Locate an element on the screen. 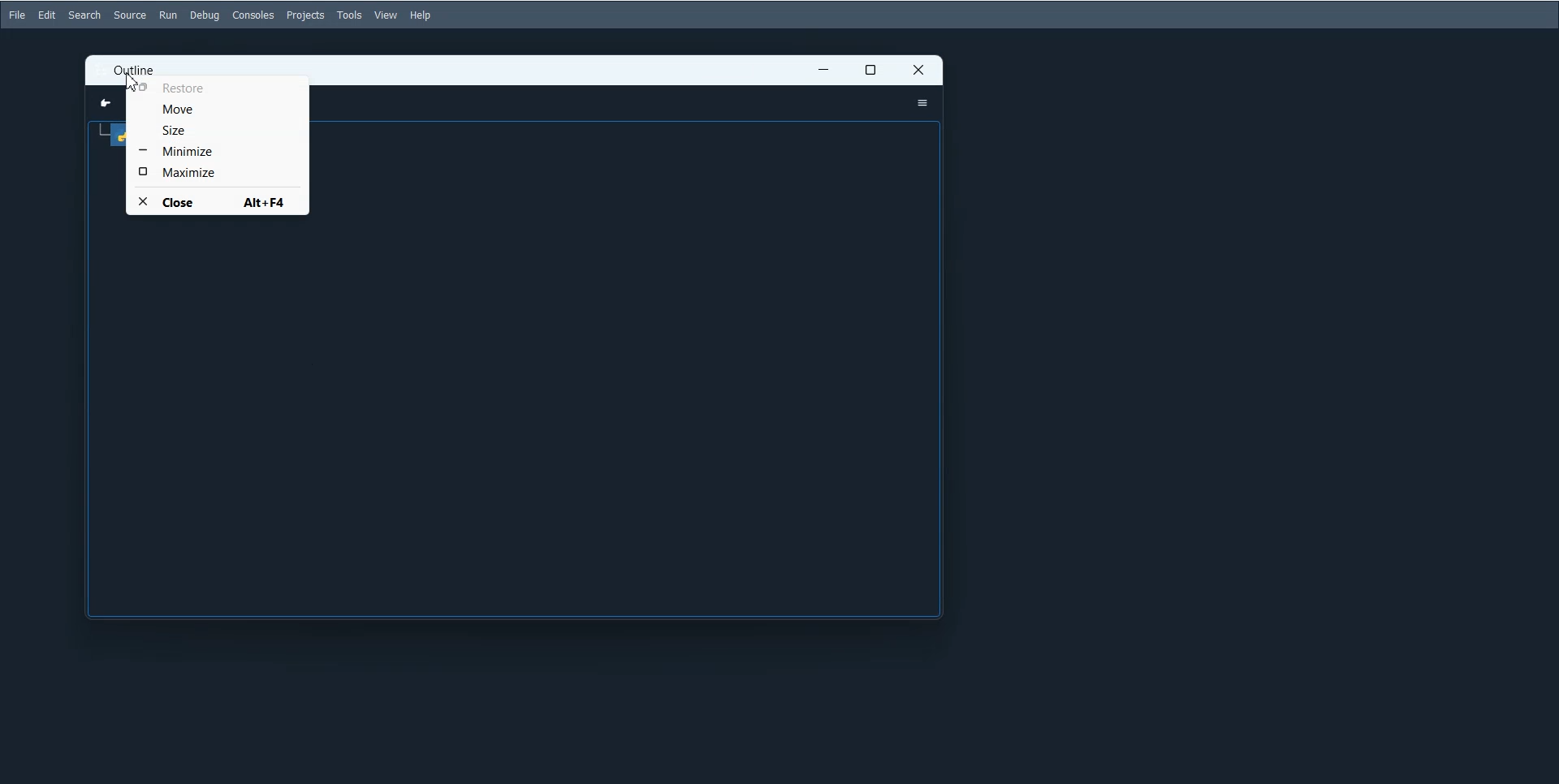  Size is located at coordinates (218, 130).